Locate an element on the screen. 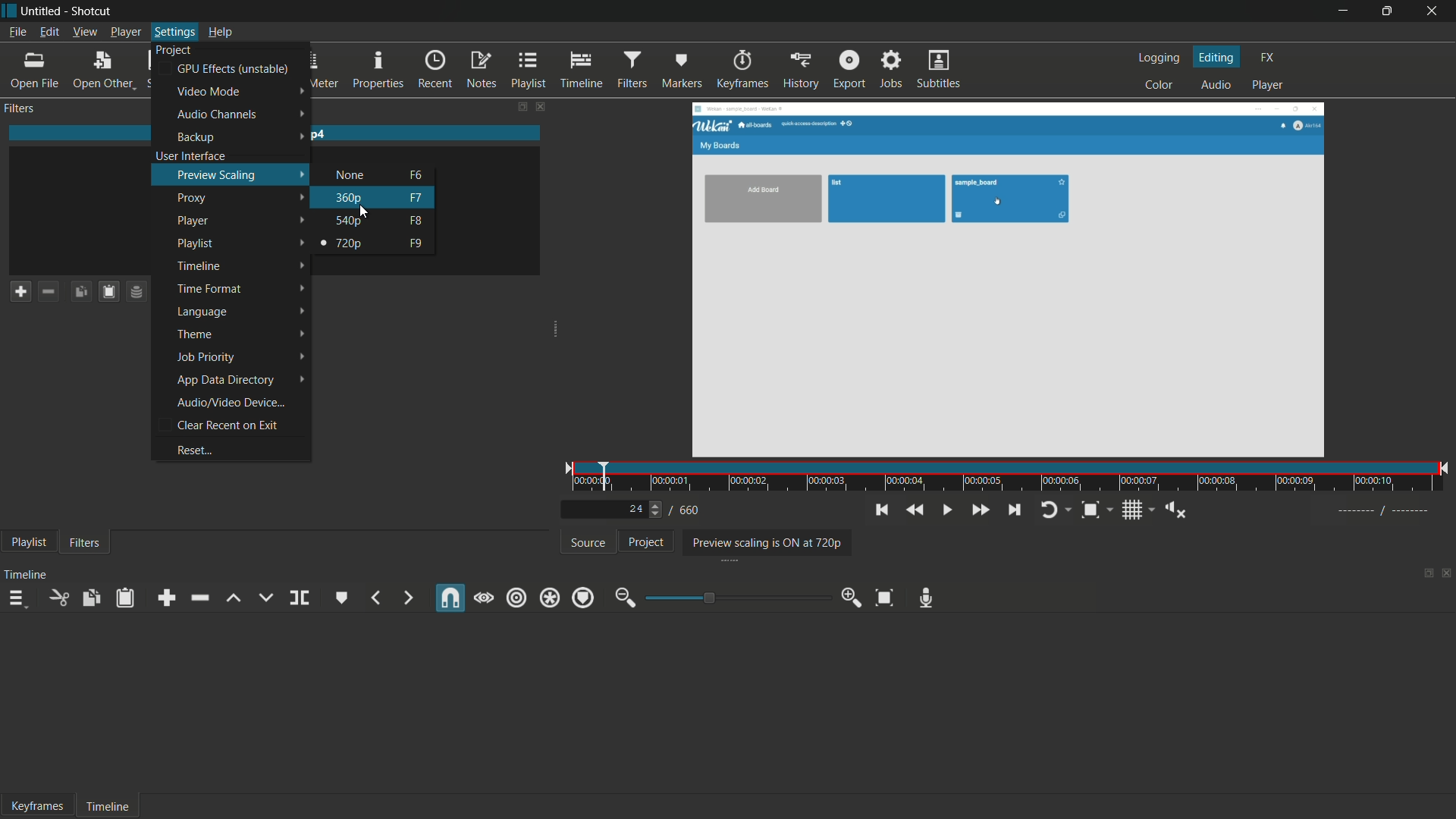 This screenshot has height=819, width=1456. zoom in is located at coordinates (852, 598).